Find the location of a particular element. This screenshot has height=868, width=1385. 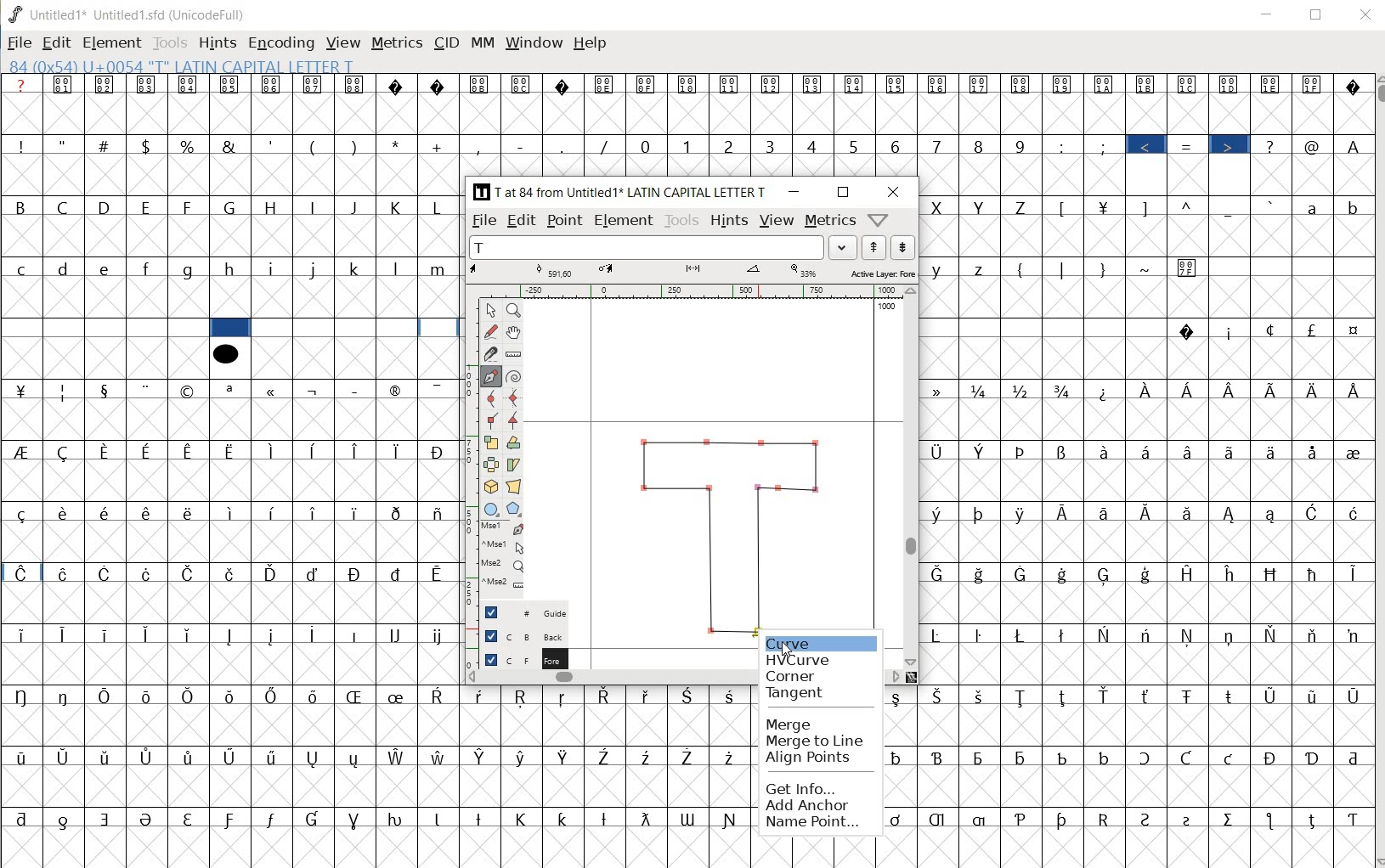

Symbol is located at coordinates (21, 389).